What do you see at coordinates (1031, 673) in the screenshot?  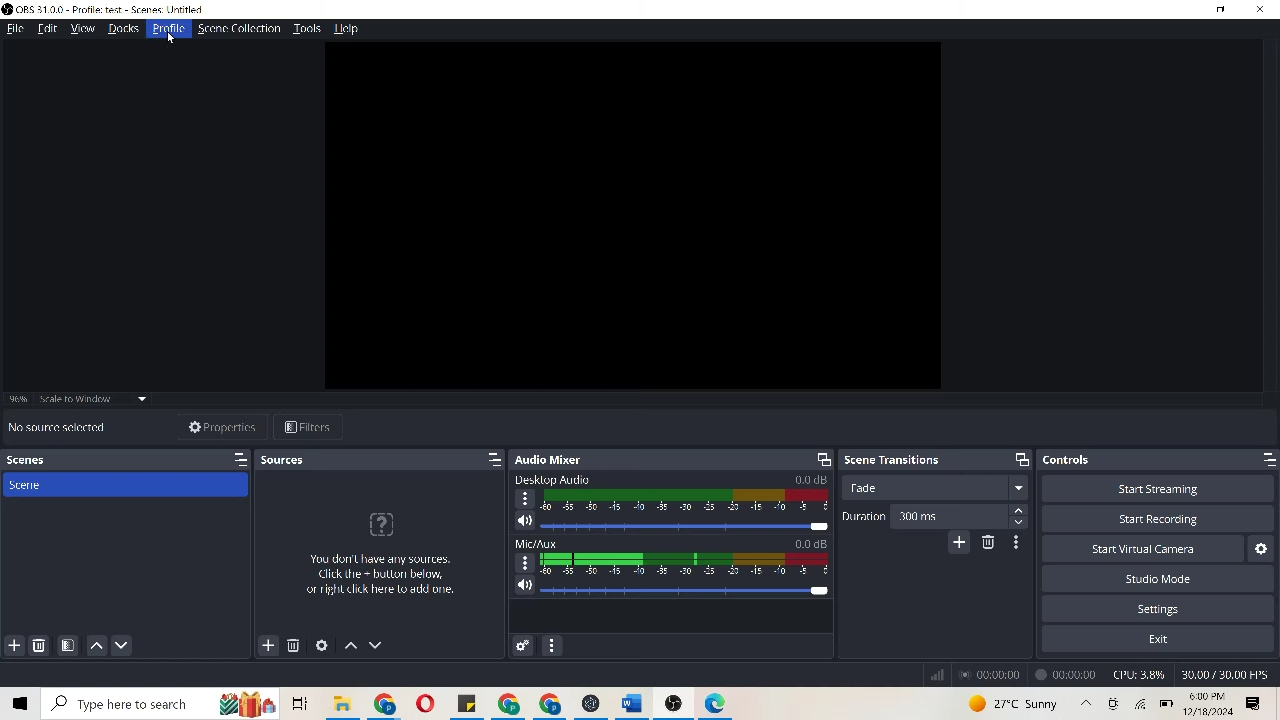 I see `recordings time` at bounding box center [1031, 673].